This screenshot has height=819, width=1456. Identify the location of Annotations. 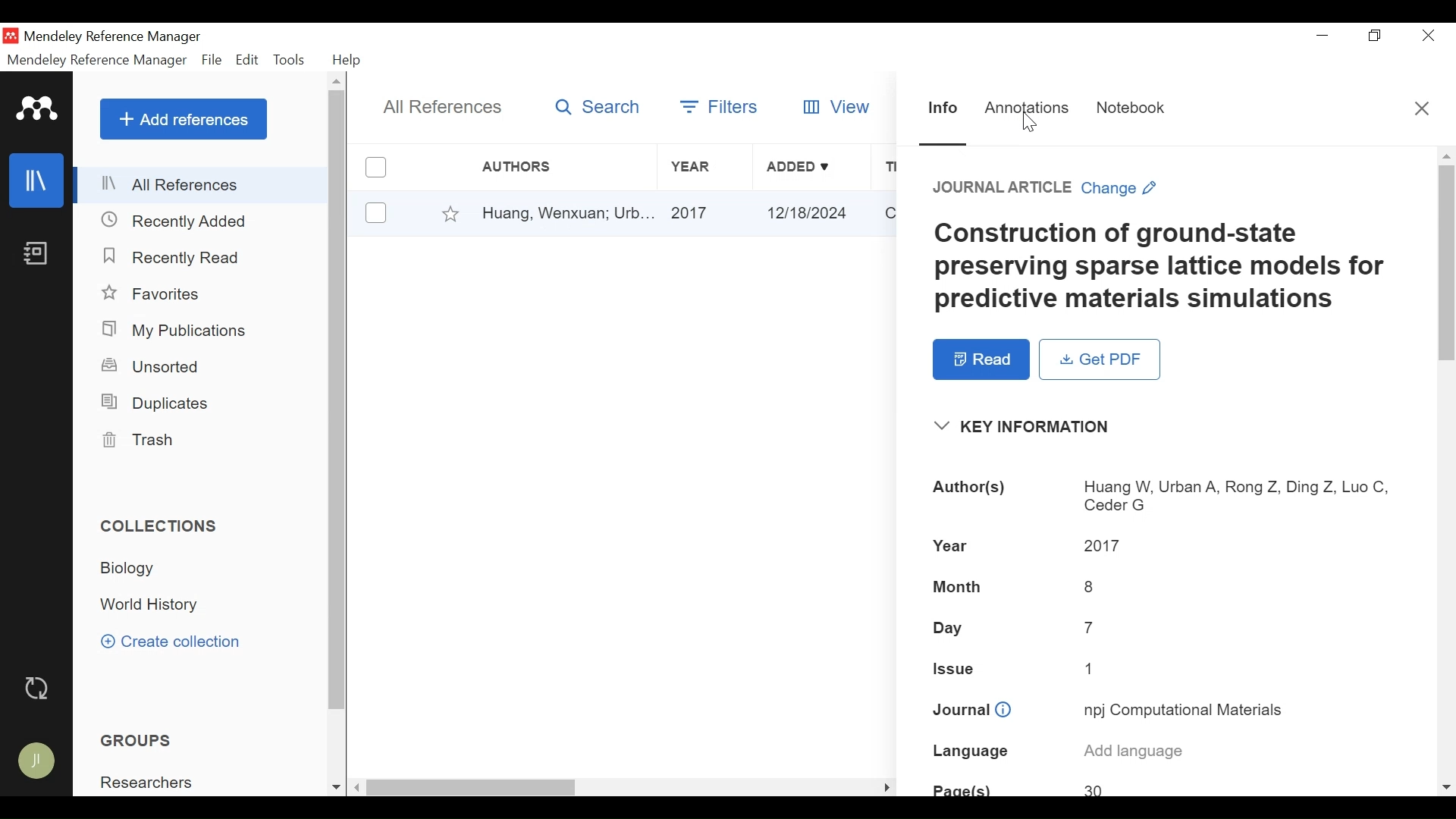
(1027, 109).